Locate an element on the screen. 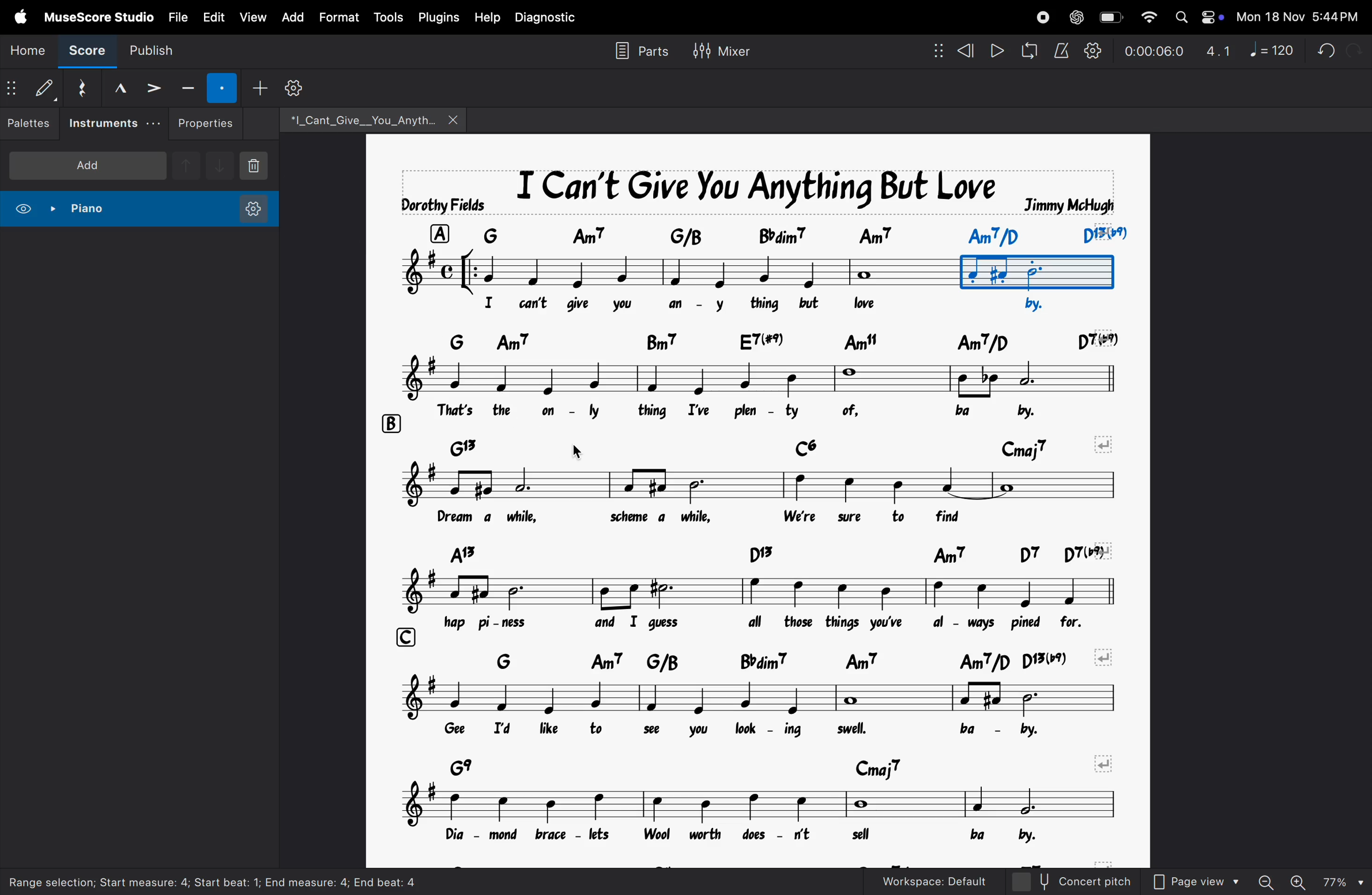 This screenshot has width=1372, height=895. metronome is located at coordinates (1061, 50).